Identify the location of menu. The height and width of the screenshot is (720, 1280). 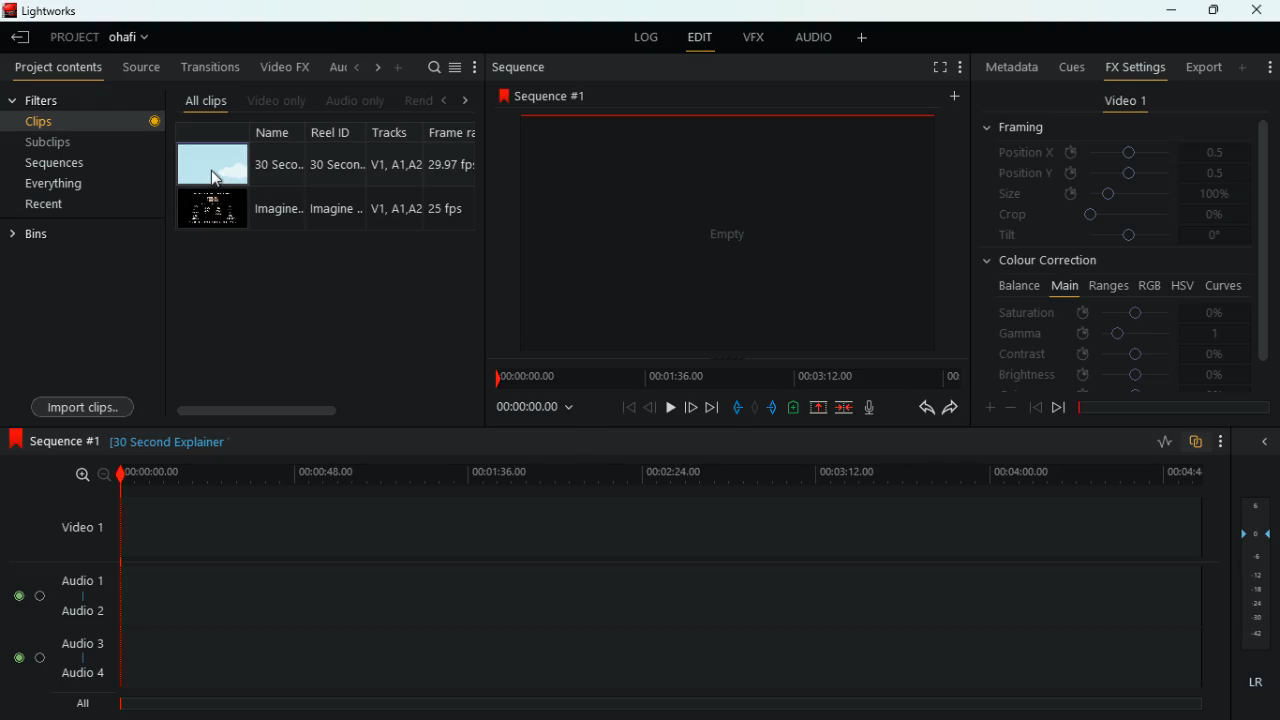
(455, 67).